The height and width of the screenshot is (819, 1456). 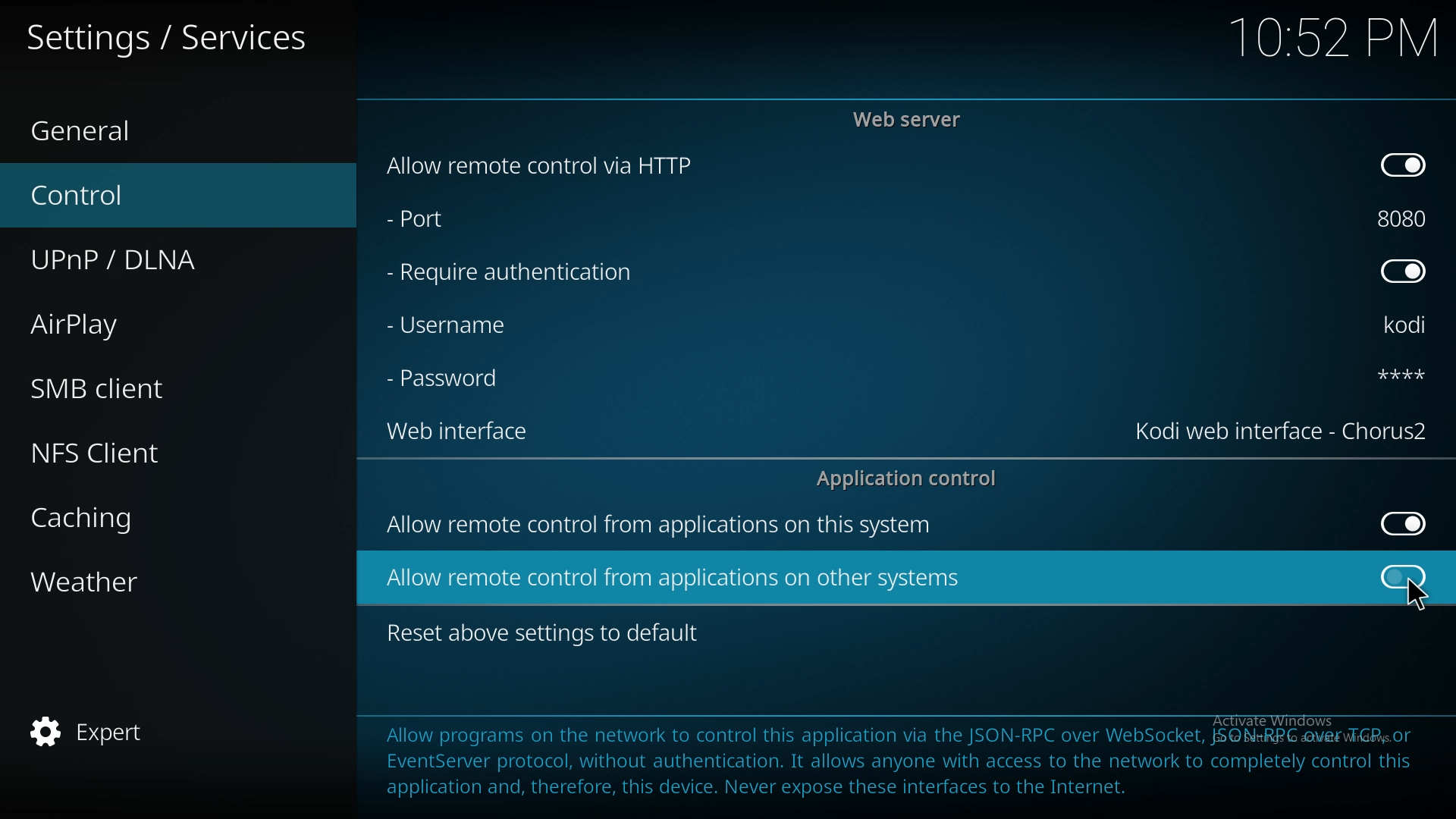 I want to click on services, so click(x=168, y=34).